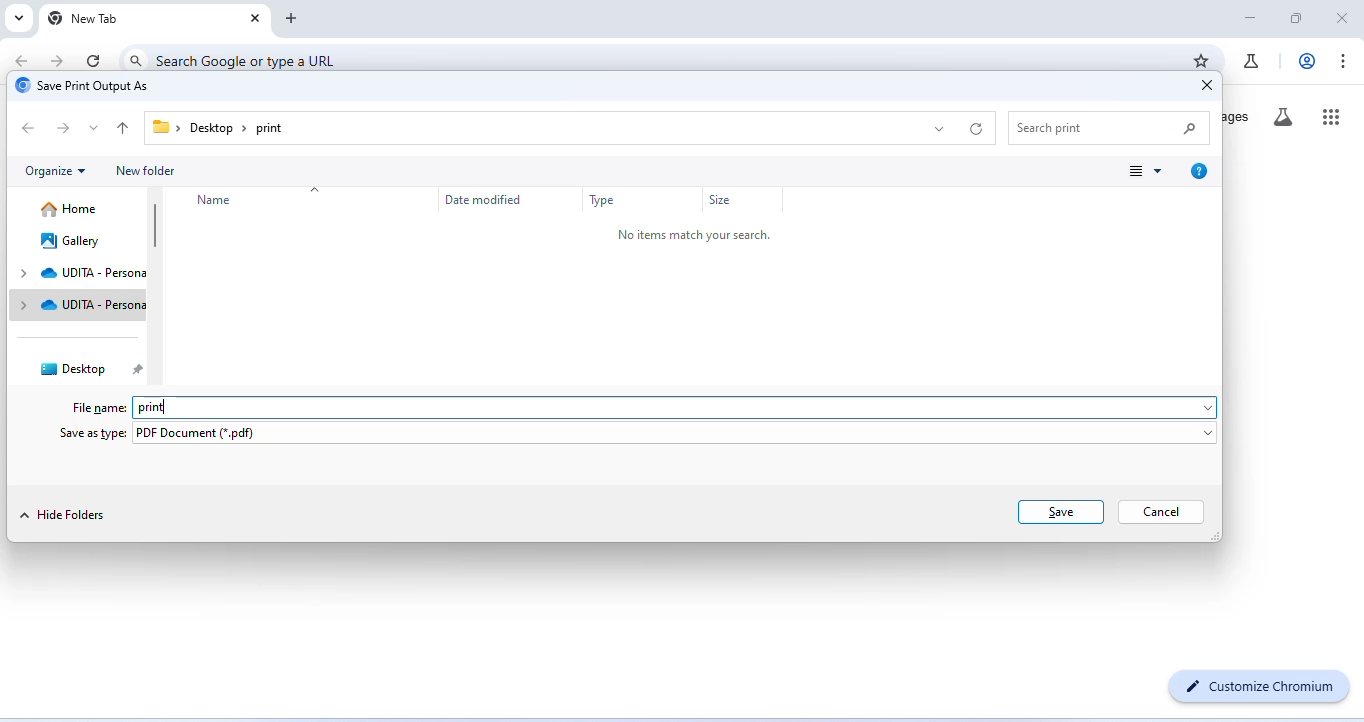  Describe the element at coordinates (125, 128) in the screenshot. I see `upto to previous folder` at that location.